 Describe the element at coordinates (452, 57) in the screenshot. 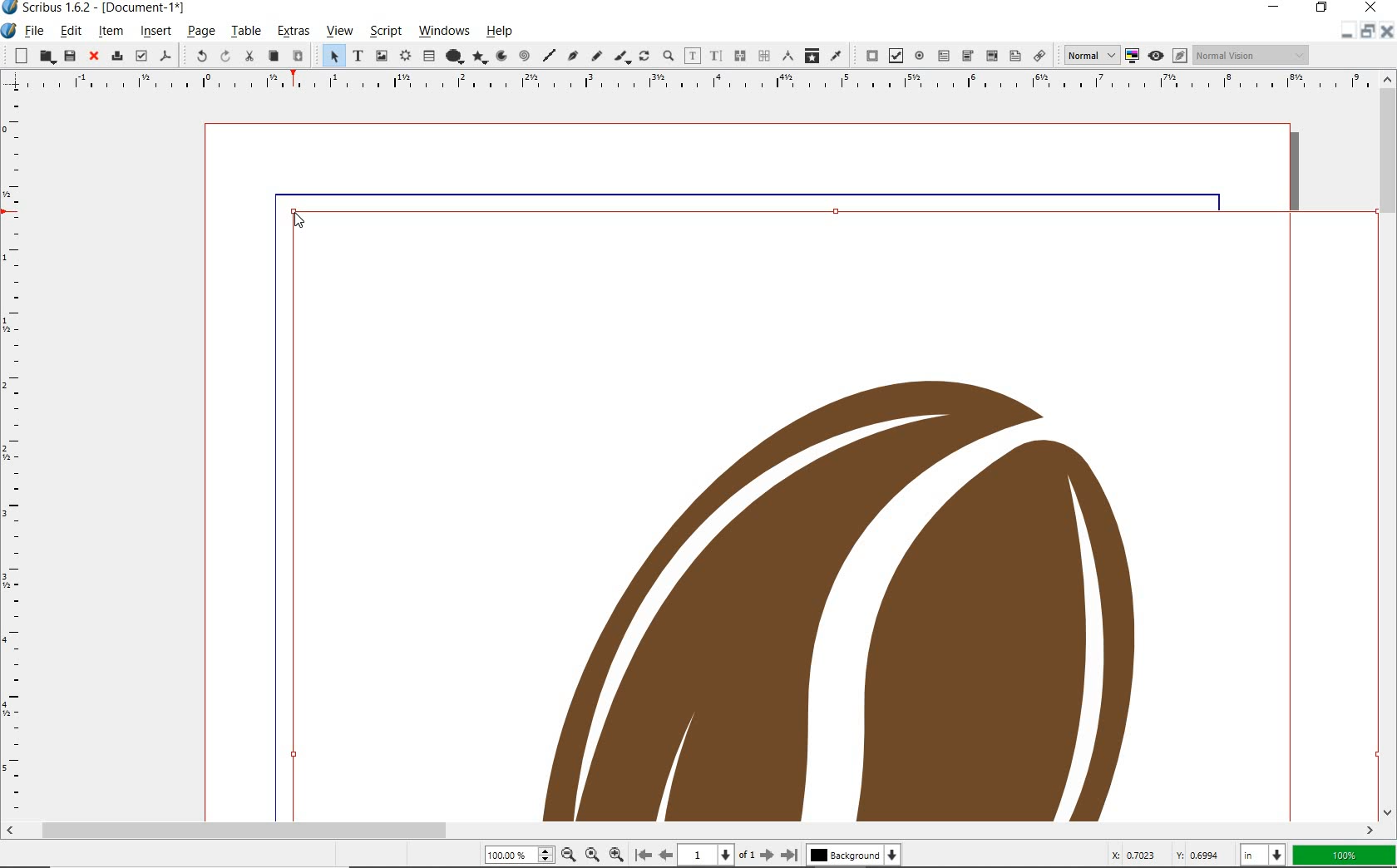

I see `shape` at that location.